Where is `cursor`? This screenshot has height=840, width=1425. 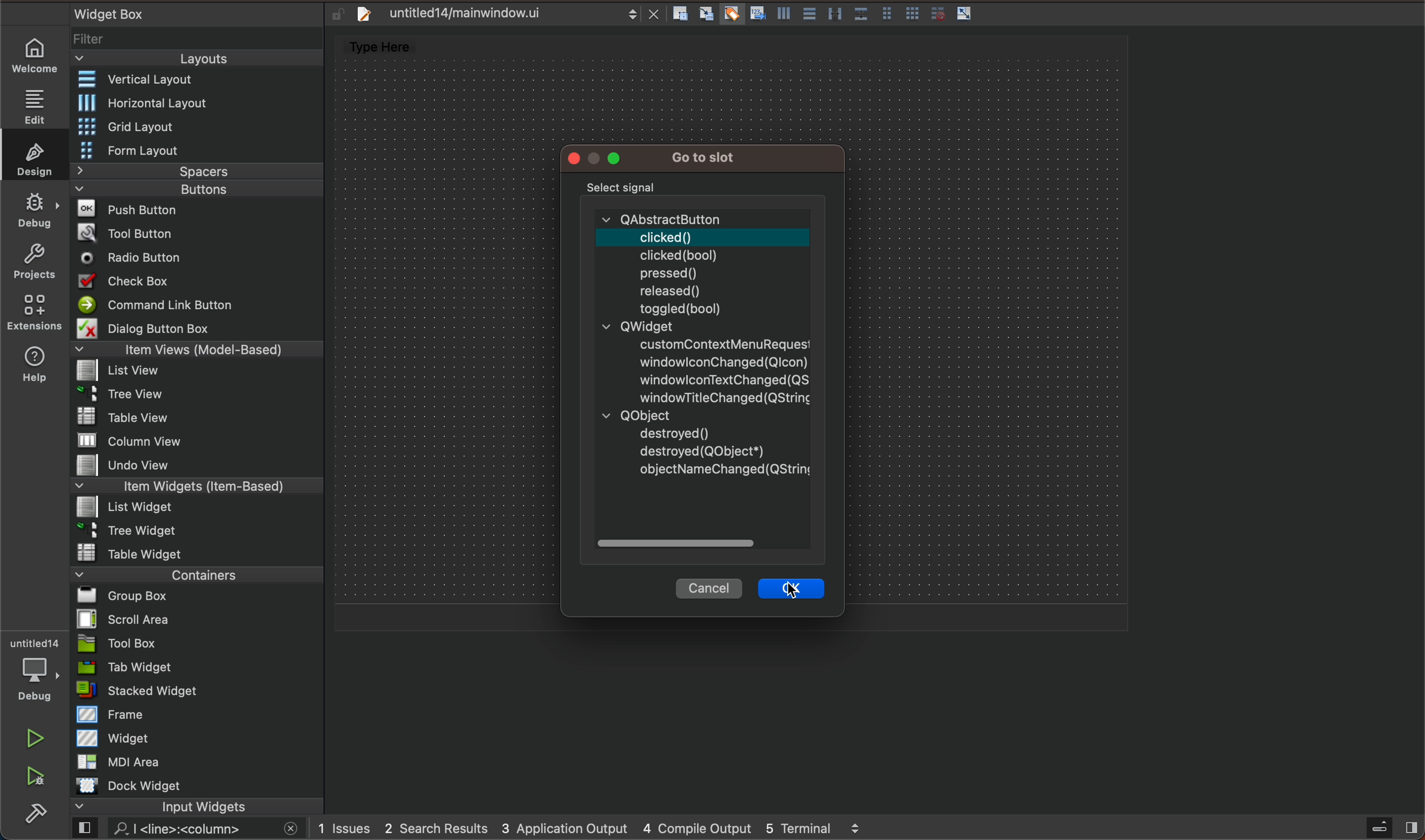
cursor is located at coordinates (795, 588).